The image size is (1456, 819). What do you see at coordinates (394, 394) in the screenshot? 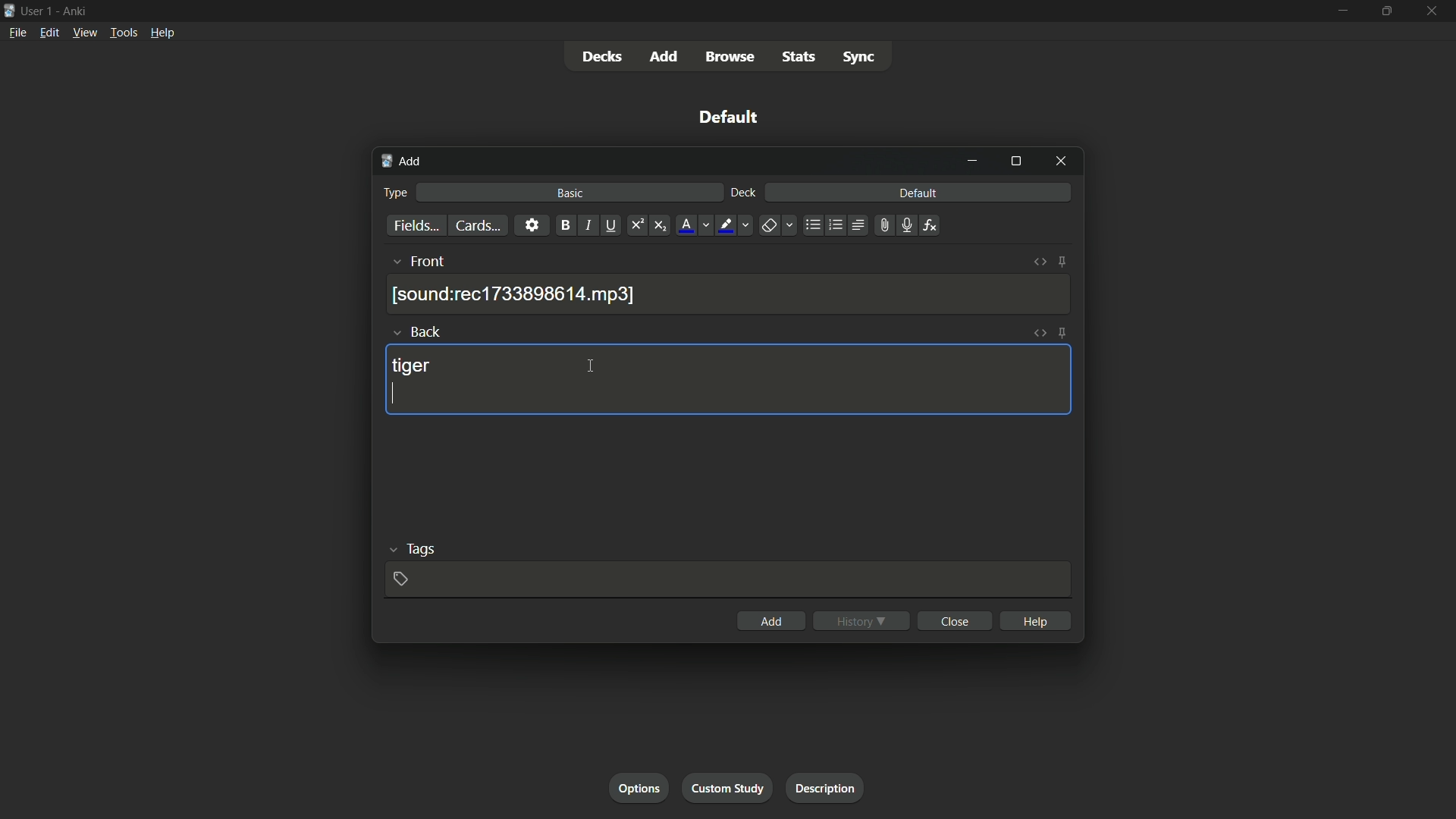
I see `cursor` at bounding box center [394, 394].